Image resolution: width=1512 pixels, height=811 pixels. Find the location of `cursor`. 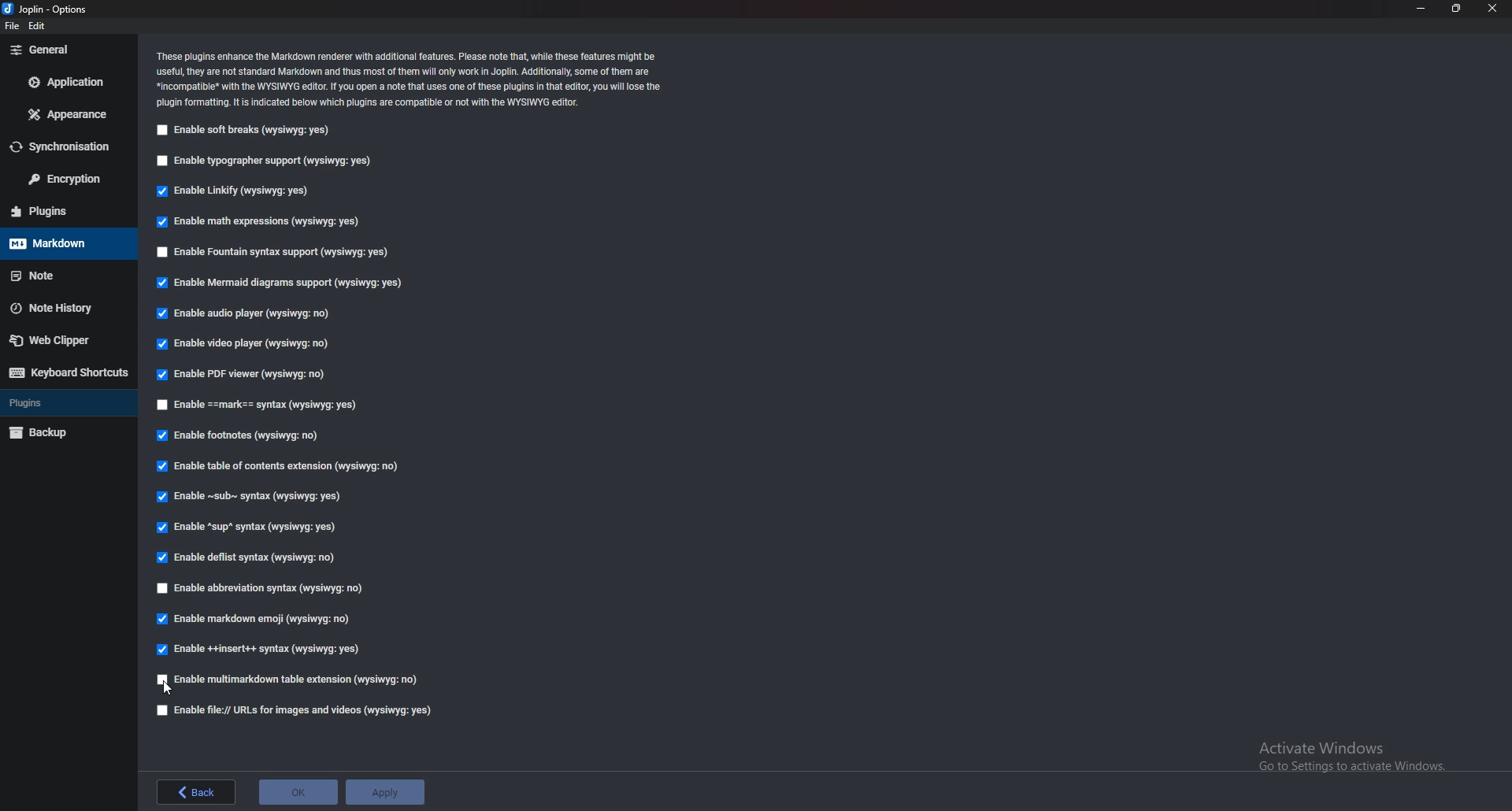

cursor is located at coordinates (170, 687).